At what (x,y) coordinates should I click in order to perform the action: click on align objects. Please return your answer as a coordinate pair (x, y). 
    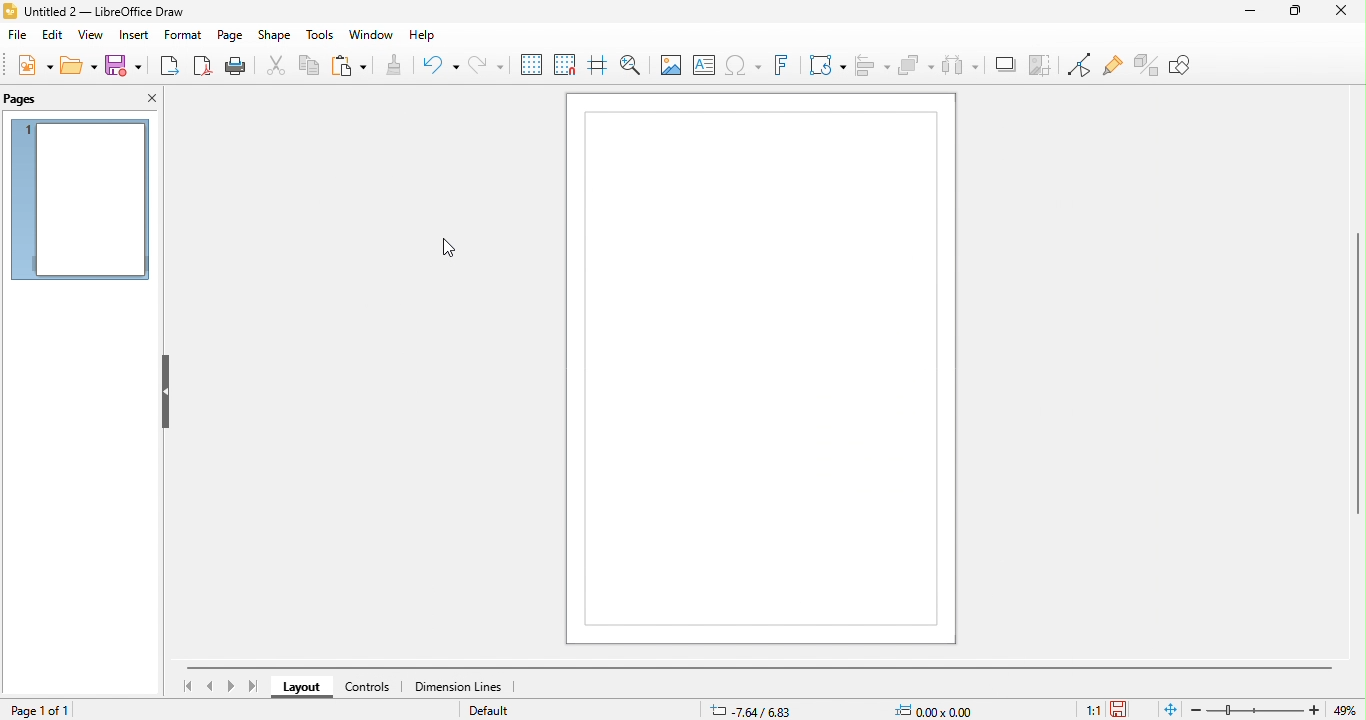
    Looking at the image, I should click on (872, 64).